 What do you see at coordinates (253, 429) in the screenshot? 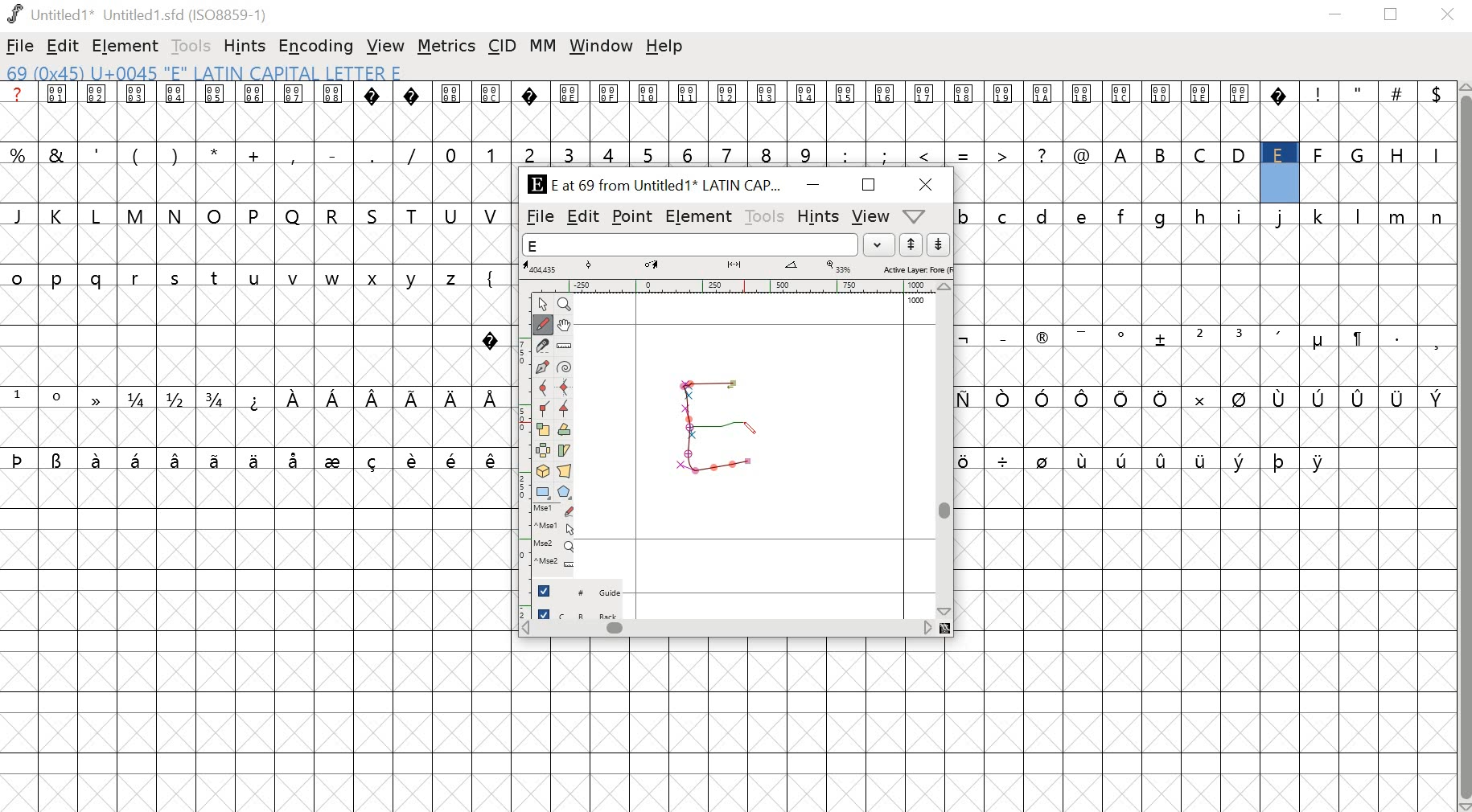
I see `empty cells` at bounding box center [253, 429].